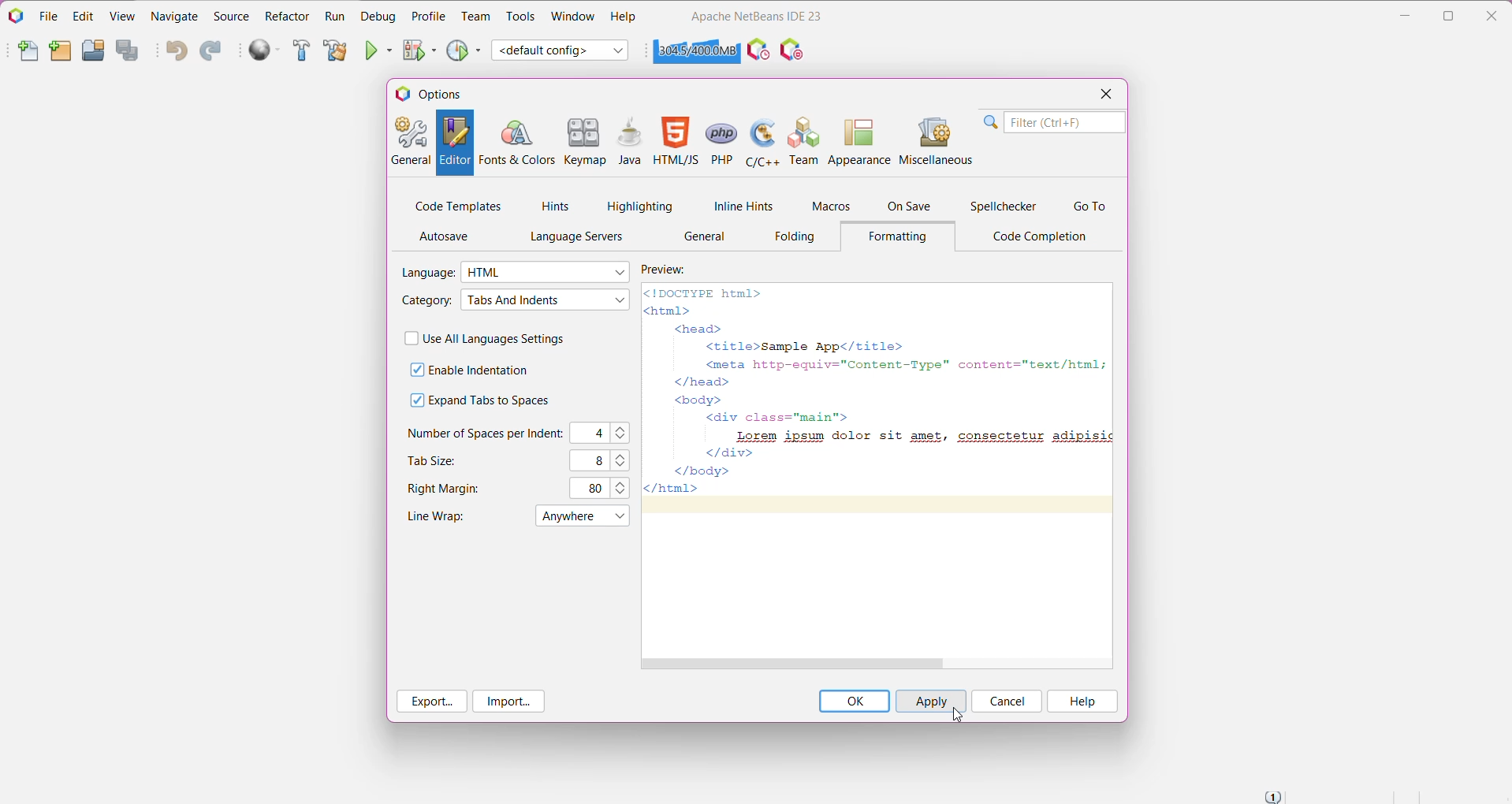 The image size is (1512, 804). Describe the element at coordinates (721, 453) in the screenshot. I see `</div>` at that location.